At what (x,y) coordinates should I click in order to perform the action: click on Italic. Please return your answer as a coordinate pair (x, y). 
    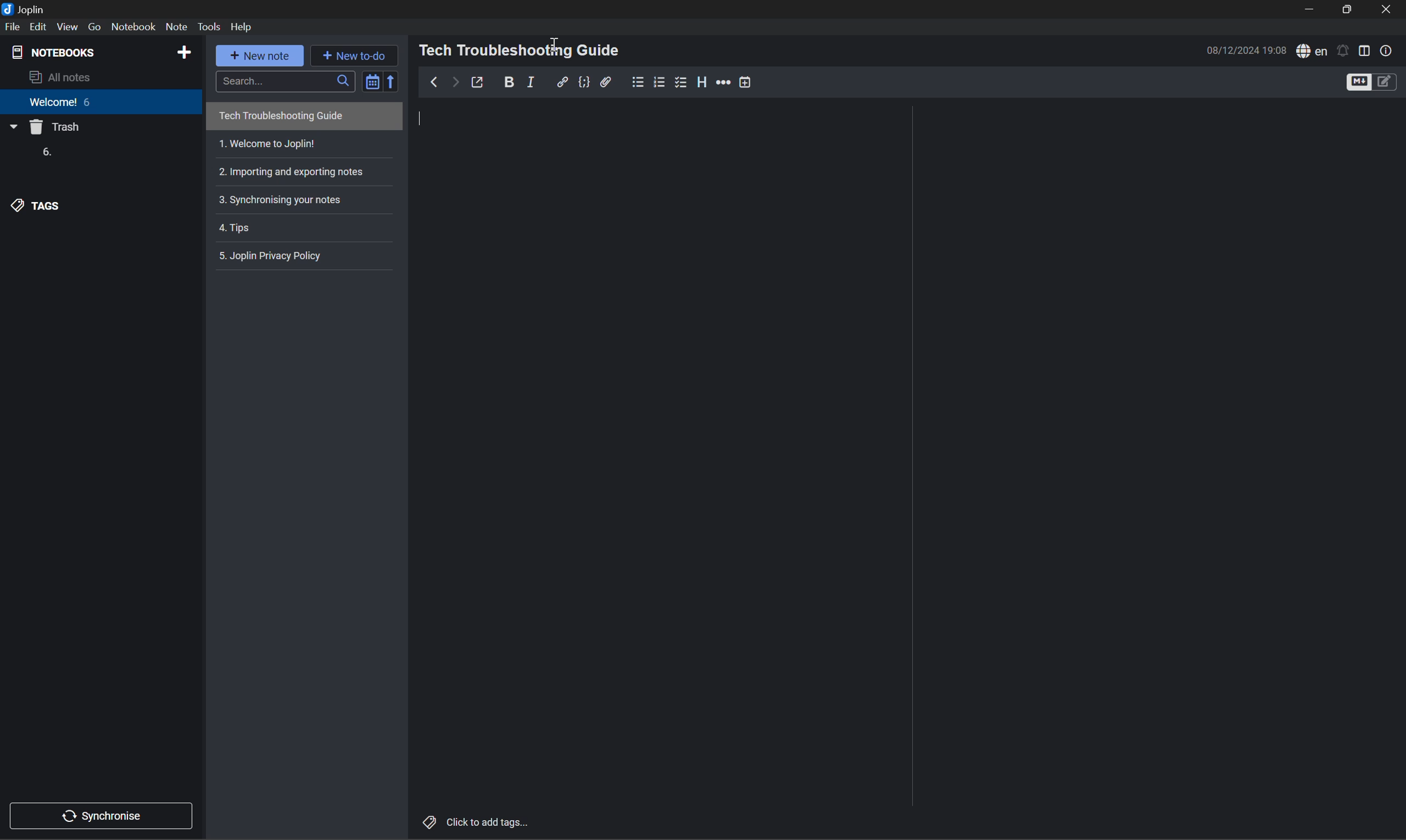
    Looking at the image, I should click on (533, 82).